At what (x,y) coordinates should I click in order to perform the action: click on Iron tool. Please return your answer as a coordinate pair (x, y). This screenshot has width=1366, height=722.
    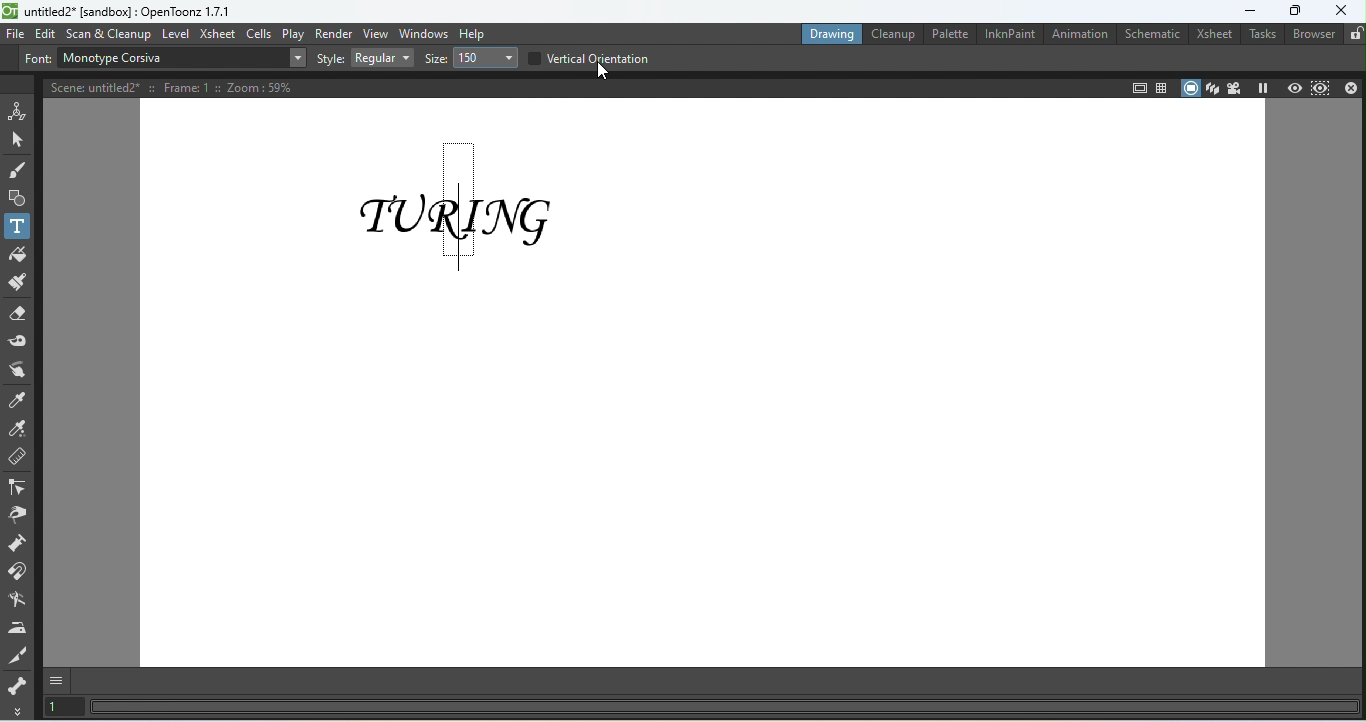
    Looking at the image, I should click on (16, 624).